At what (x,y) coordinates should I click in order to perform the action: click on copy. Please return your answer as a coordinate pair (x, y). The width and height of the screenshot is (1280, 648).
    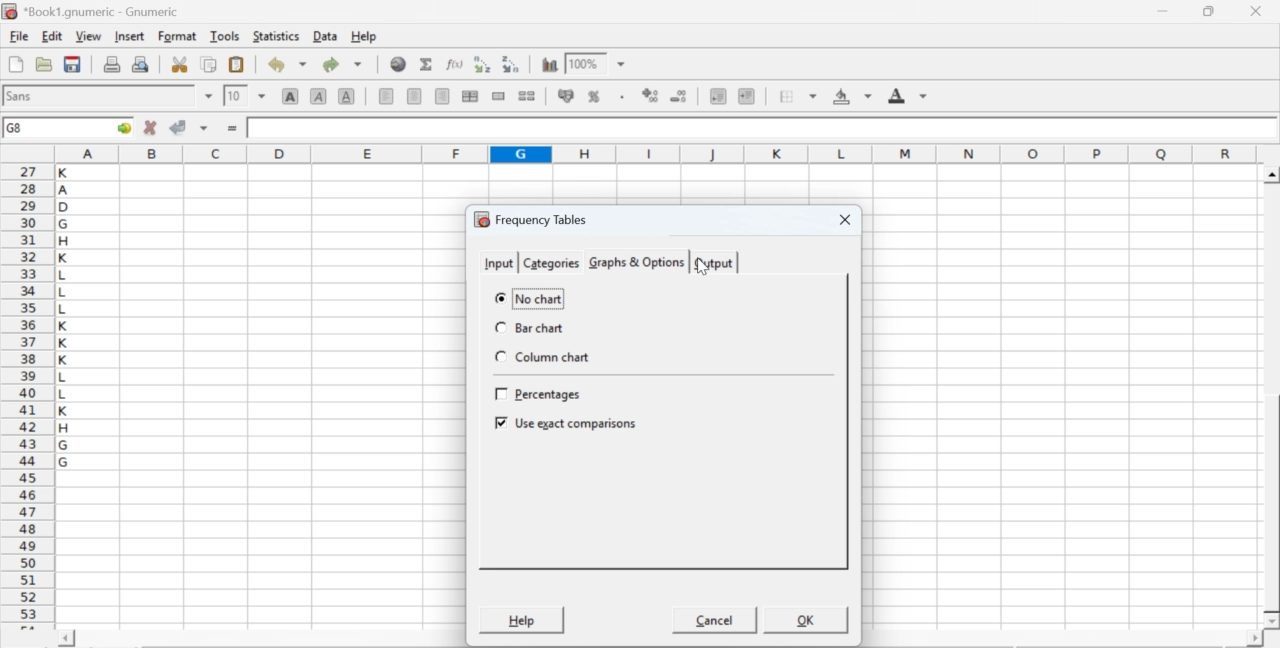
    Looking at the image, I should click on (210, 64).